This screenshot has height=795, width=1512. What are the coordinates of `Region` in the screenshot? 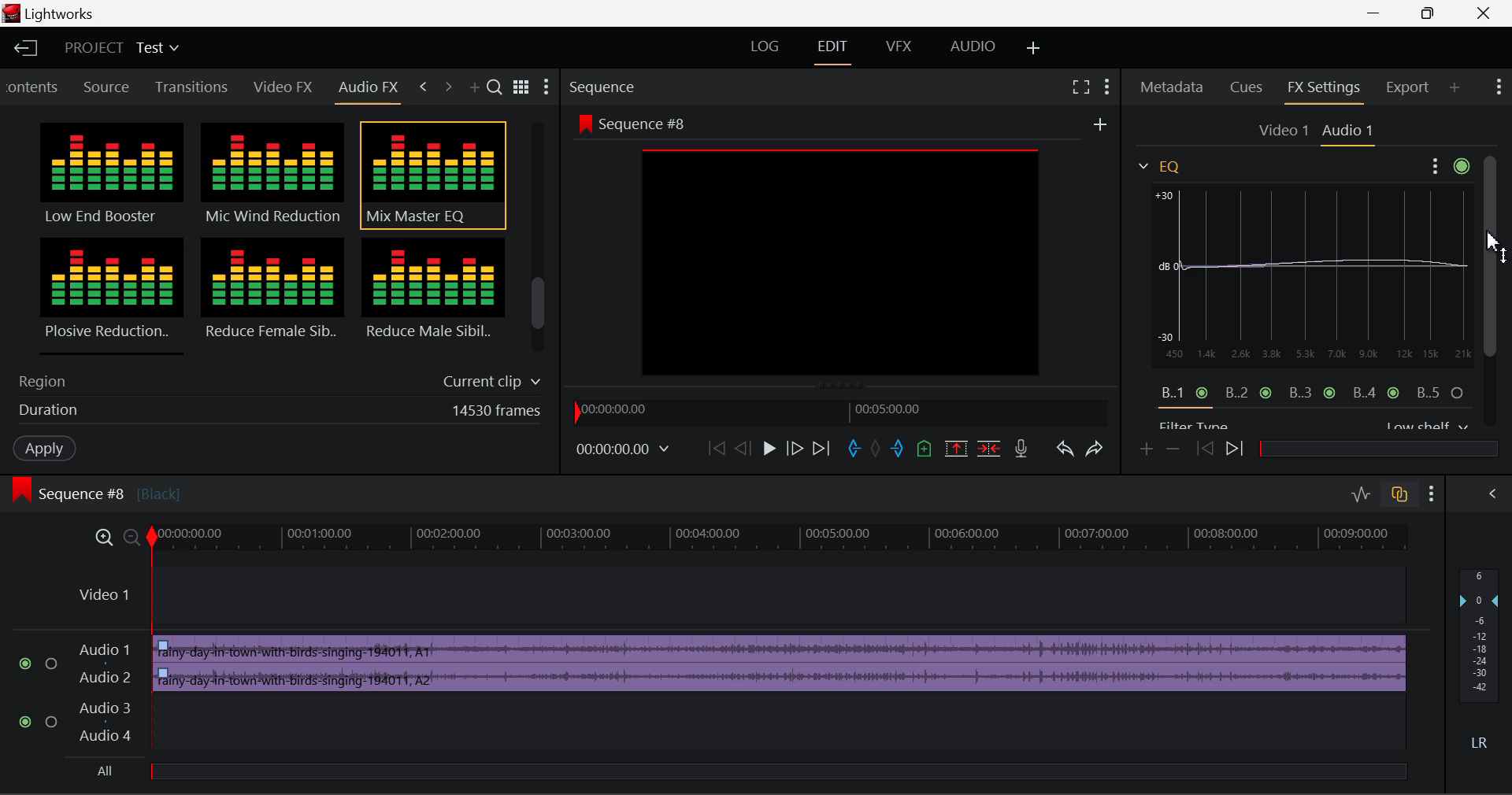 It's located at (276, 379).